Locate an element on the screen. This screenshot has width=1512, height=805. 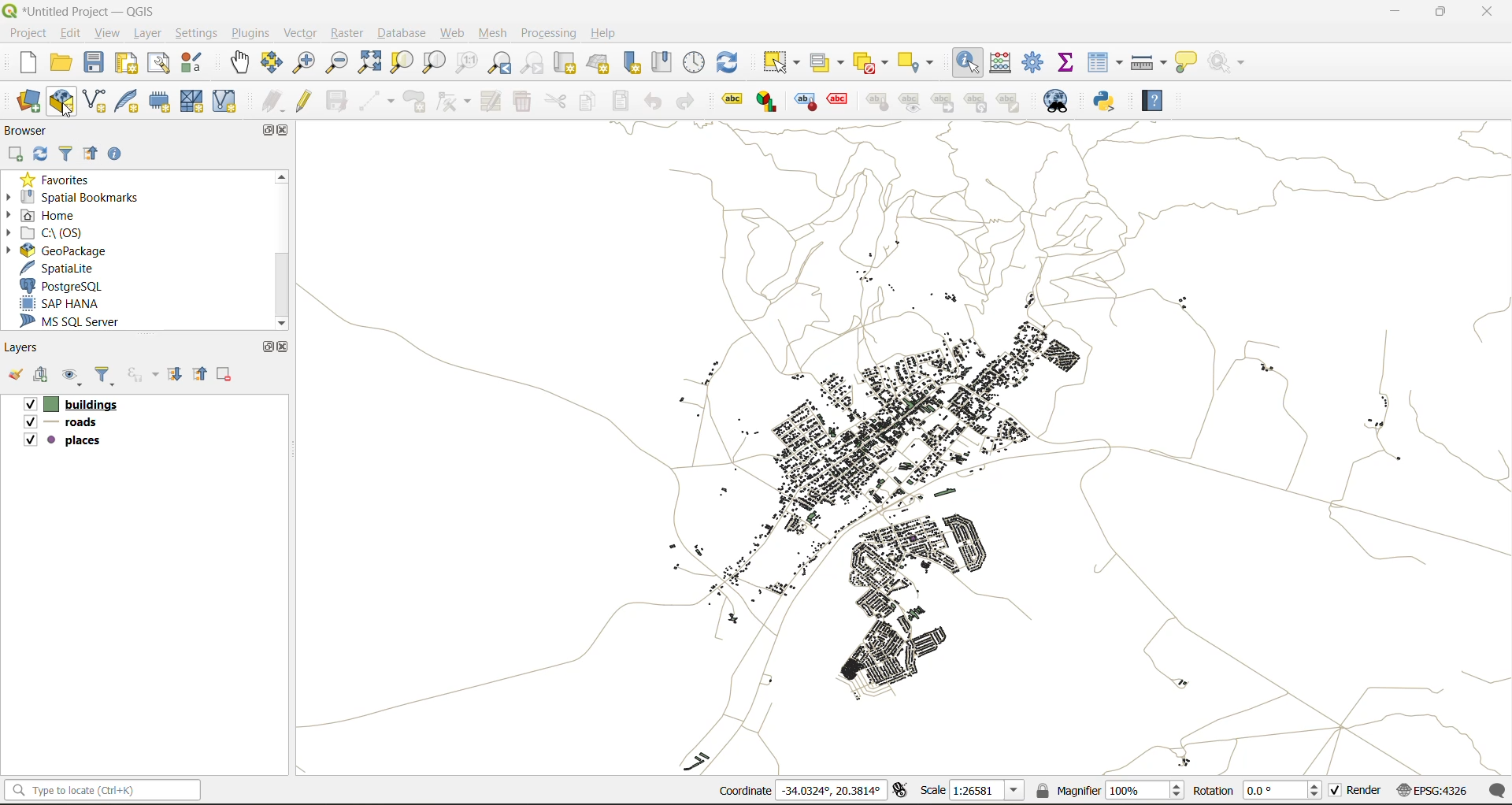
pan selection is located at coordinates (272, 63).